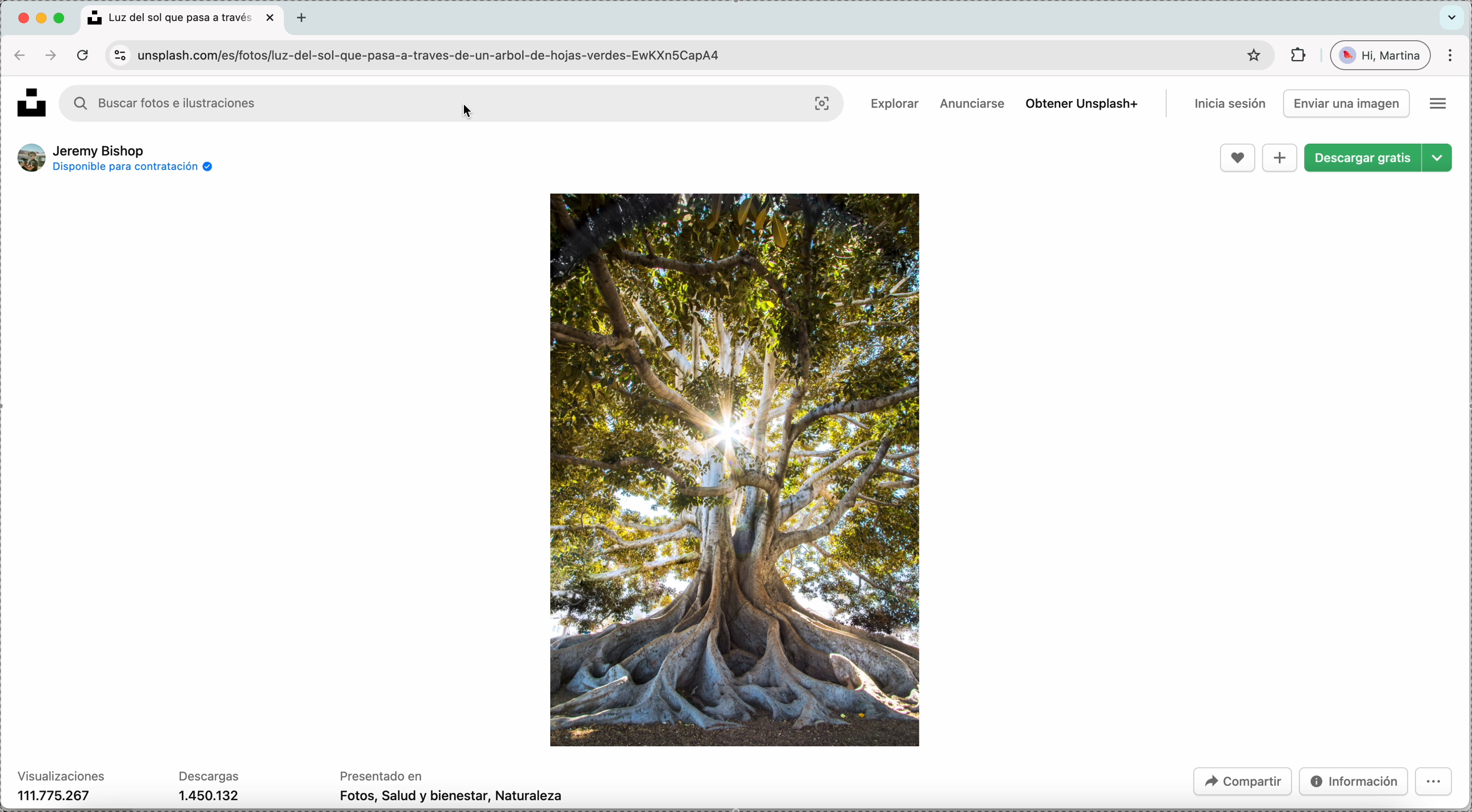 The height and width of the screenshot is (812, 1472). I want to click on screen controls, so click(118, 55).